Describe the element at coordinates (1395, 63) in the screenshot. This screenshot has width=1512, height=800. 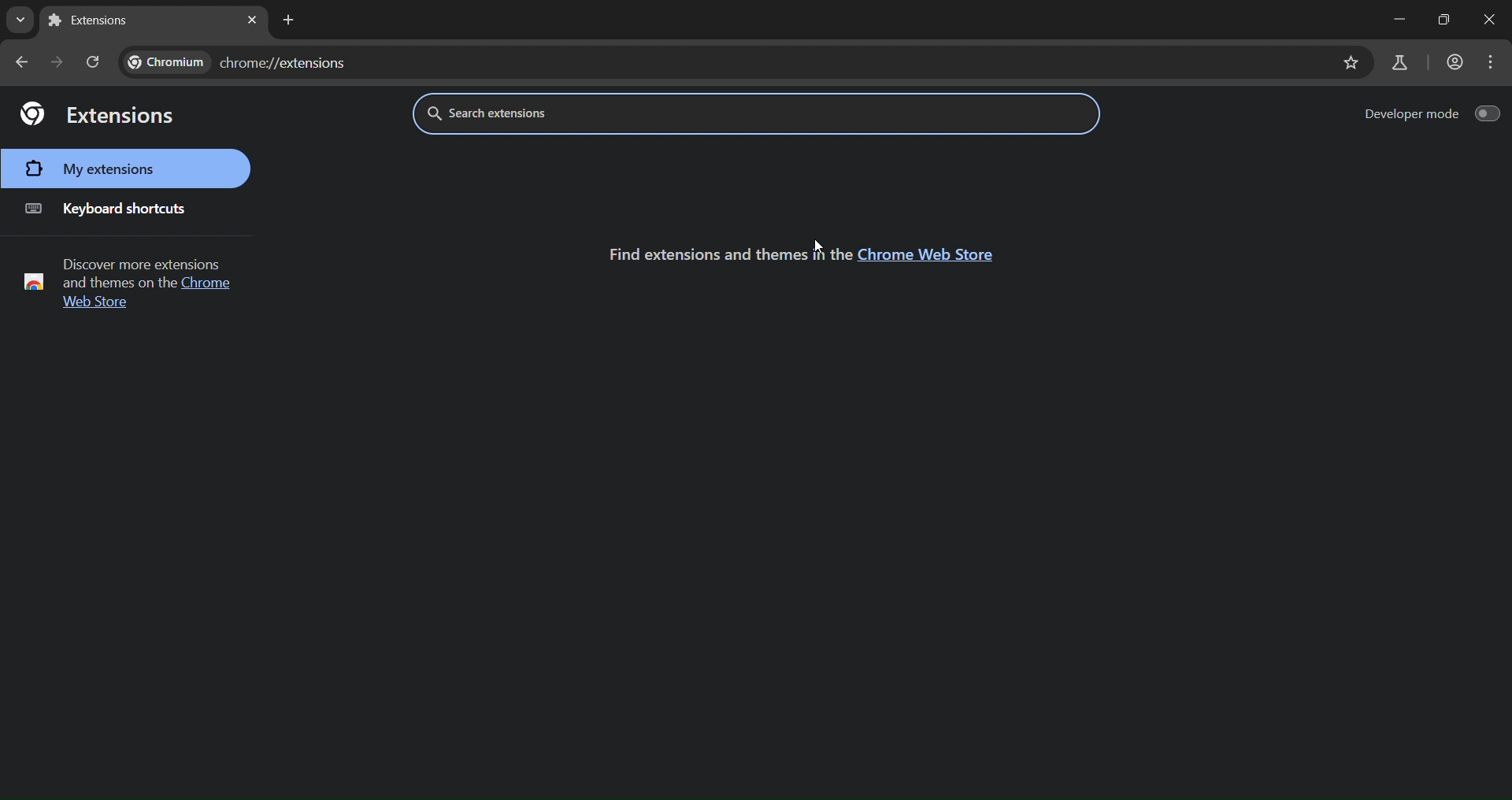
I see `search labs` at that location.